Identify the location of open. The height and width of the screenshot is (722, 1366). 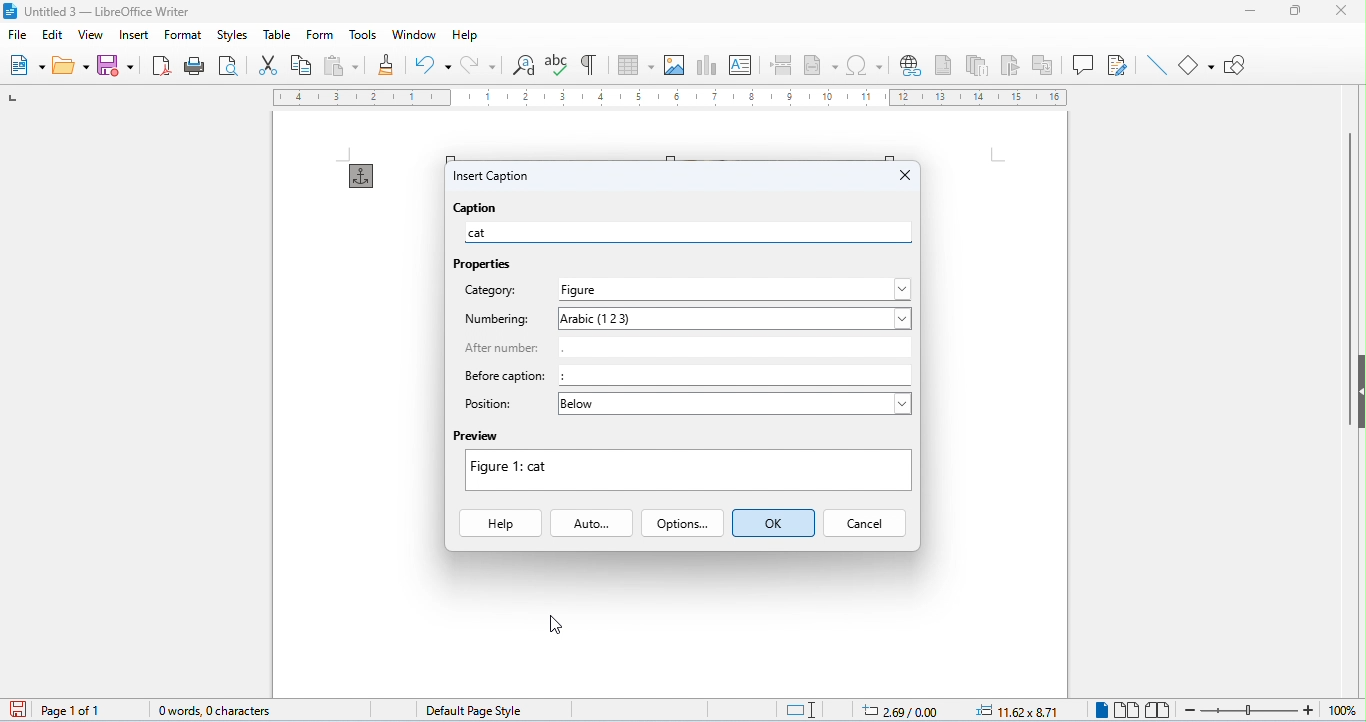
(72, 66).